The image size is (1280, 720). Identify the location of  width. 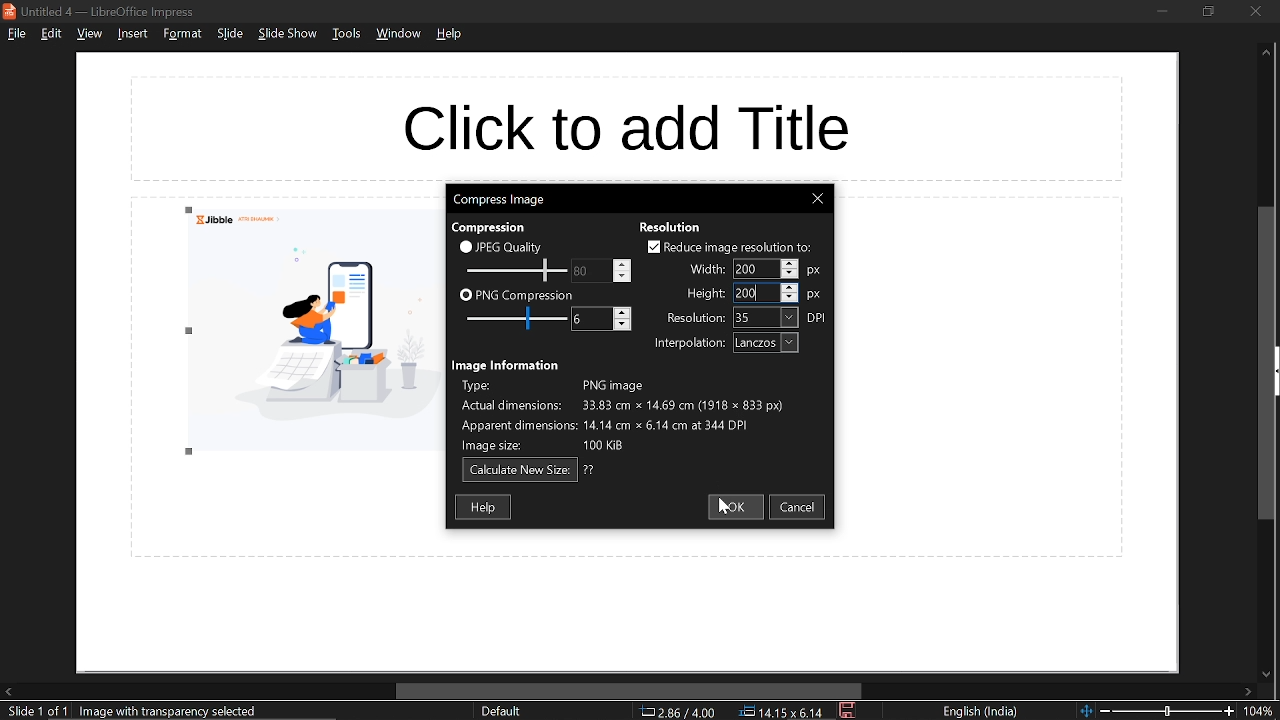
(754, 269).